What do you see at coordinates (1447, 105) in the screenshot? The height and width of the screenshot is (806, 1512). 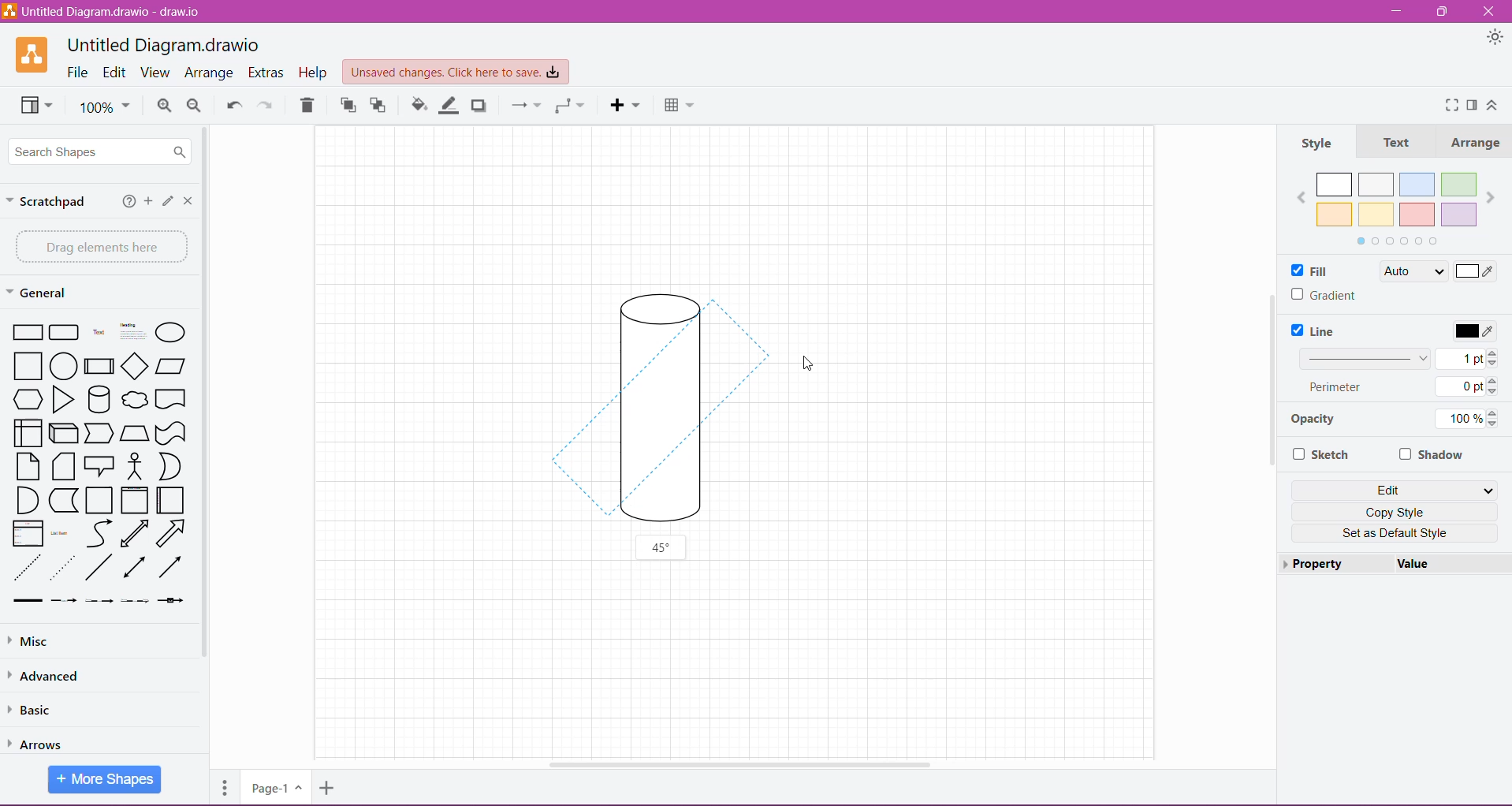 I see `Fullscreen` at bounding box center [1447, 105].